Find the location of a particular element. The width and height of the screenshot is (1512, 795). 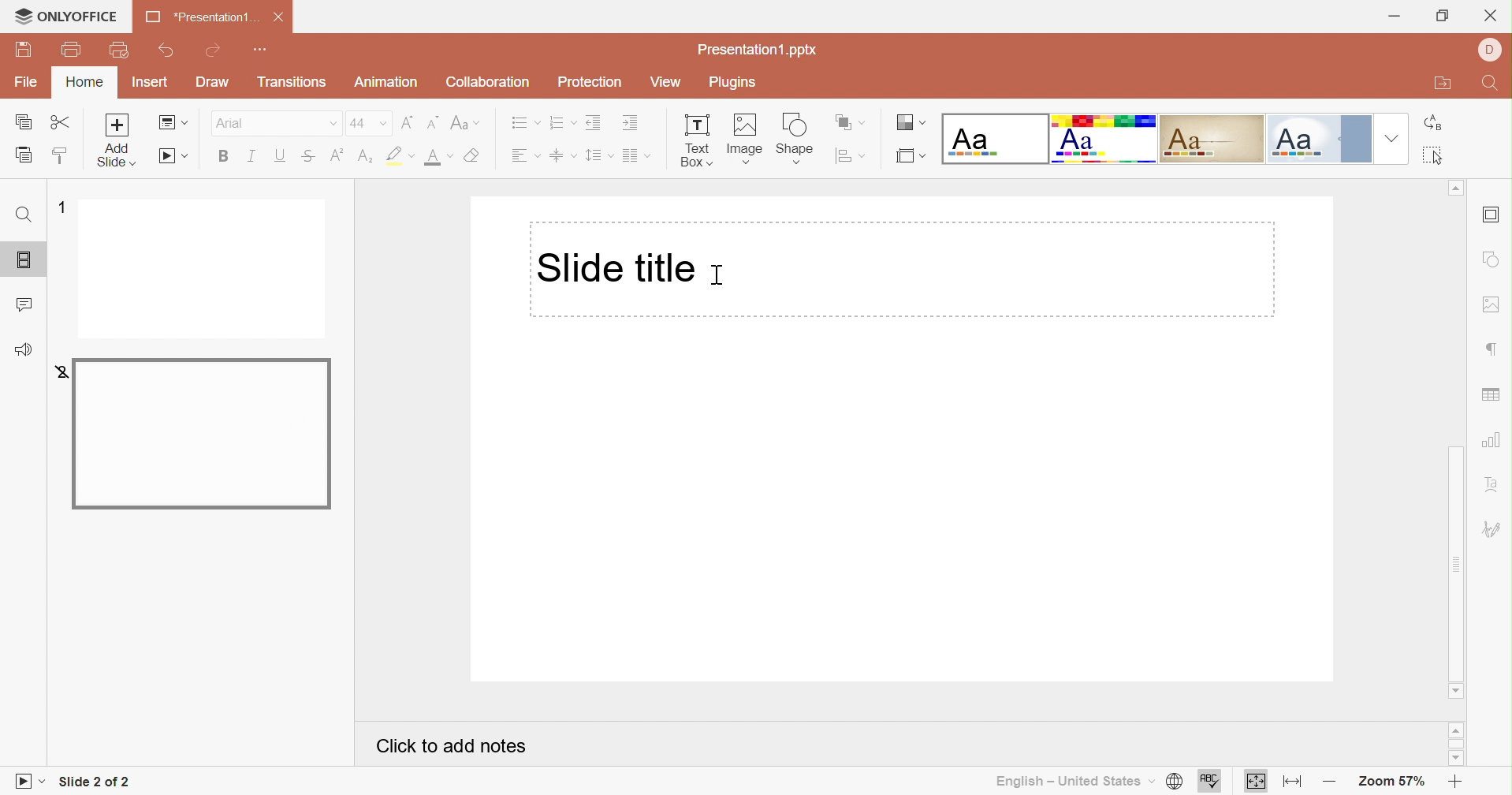

Scroll down is located at coordinates (1454, 692).